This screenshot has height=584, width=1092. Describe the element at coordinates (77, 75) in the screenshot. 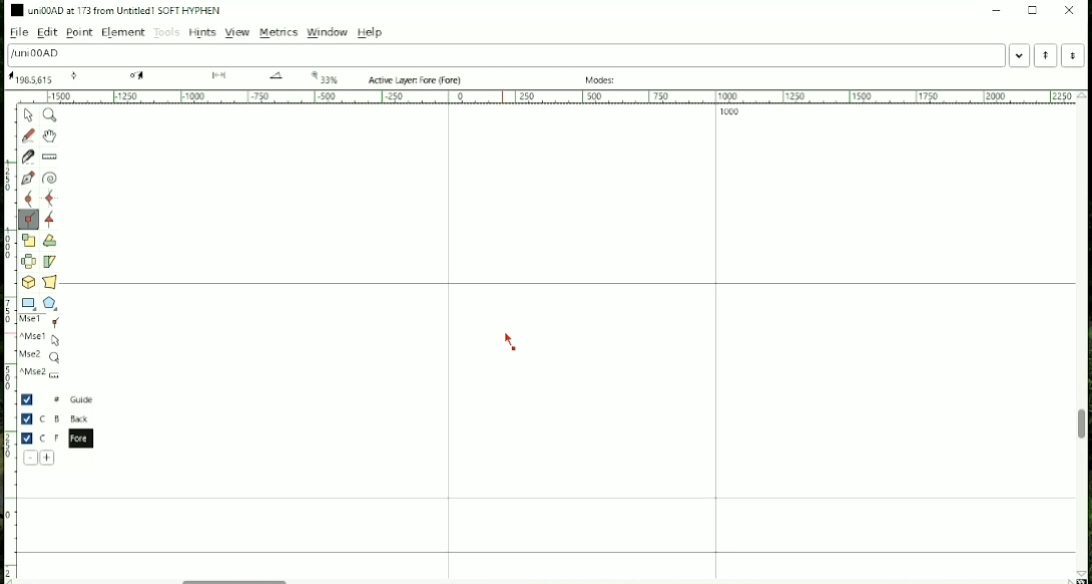

I see `173 Oxad U+00AD "uni00AD" SOFT HYPHEN` at that location.